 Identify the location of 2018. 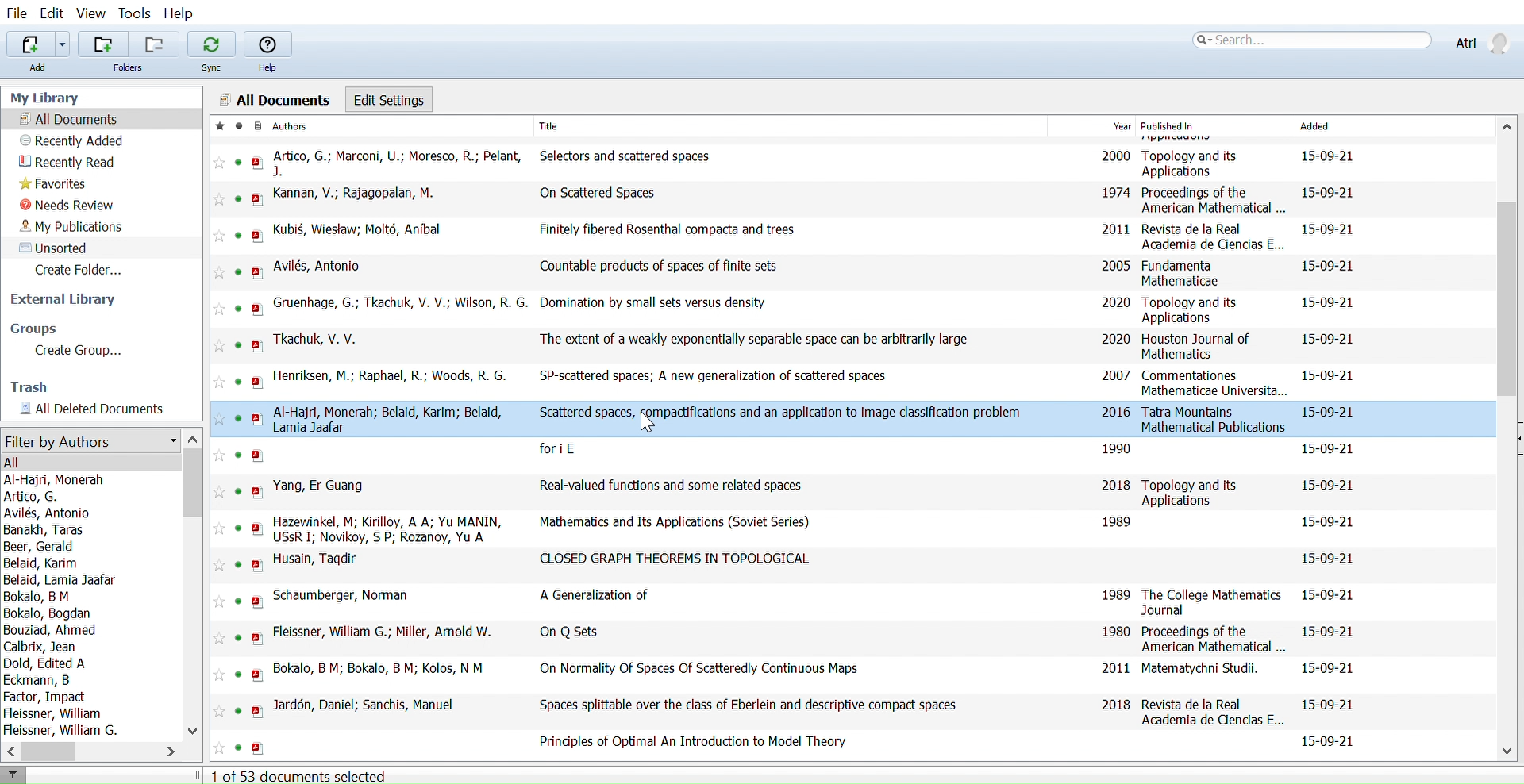
(1115, 705).